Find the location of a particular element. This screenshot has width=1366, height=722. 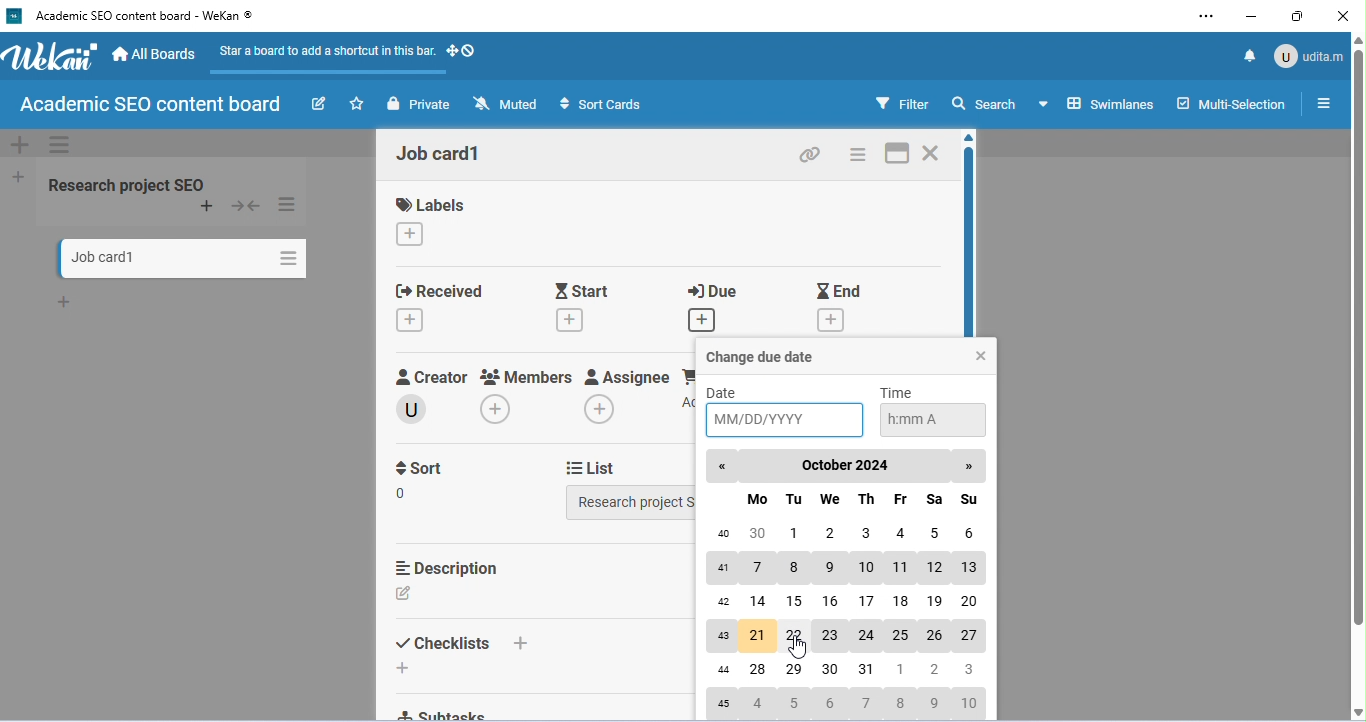

maximize is located at coordinates (1298, 17).